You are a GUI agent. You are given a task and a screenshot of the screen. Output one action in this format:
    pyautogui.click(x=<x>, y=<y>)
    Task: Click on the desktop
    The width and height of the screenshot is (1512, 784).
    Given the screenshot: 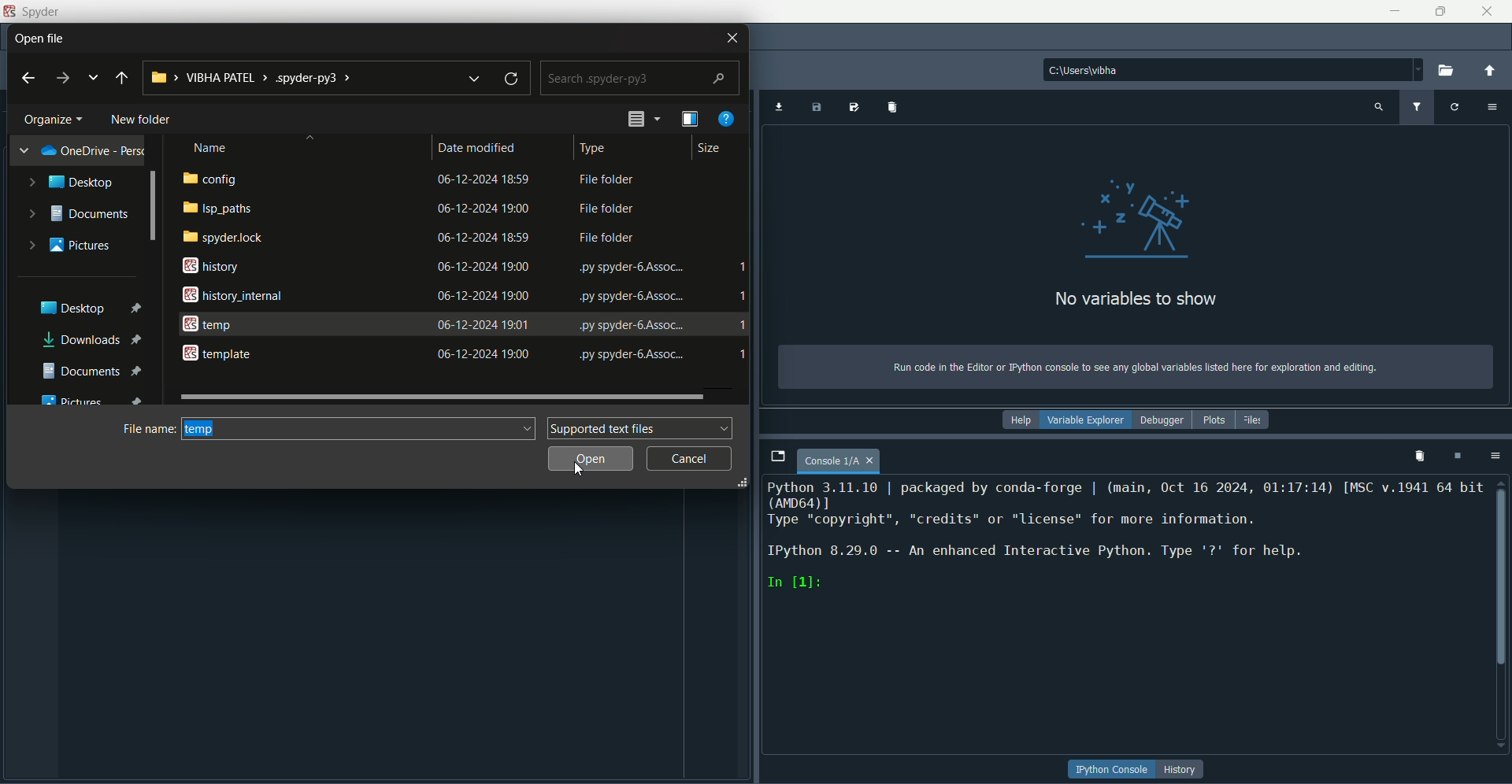 What is the action you would take?
    pyautogui.click(x=91, y=305)
    